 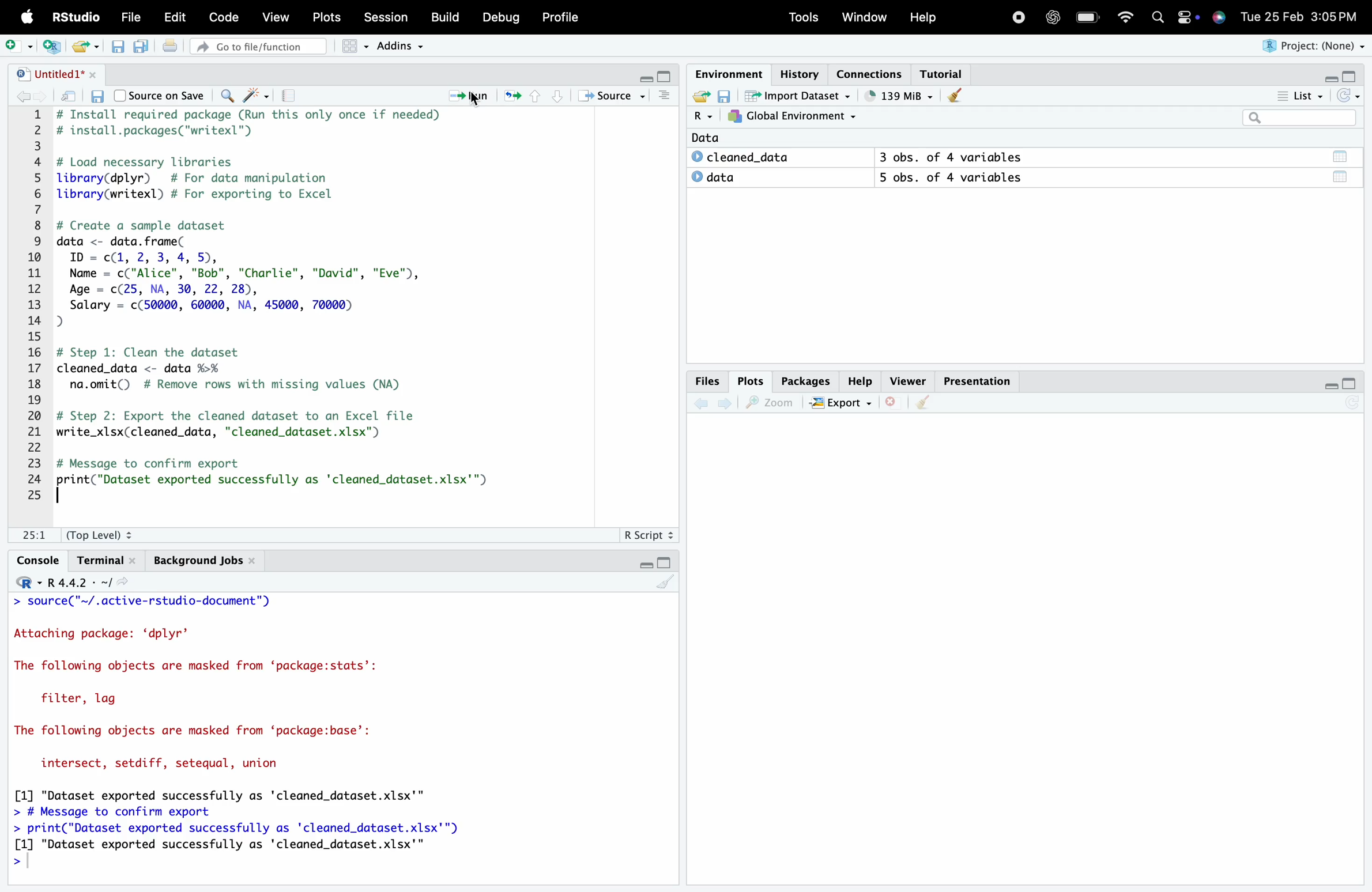 What do you see at coordinates (927, 403) in the screenshot?
I see `Clear console (Ctrl + L)` at bounding box center [927, 403].